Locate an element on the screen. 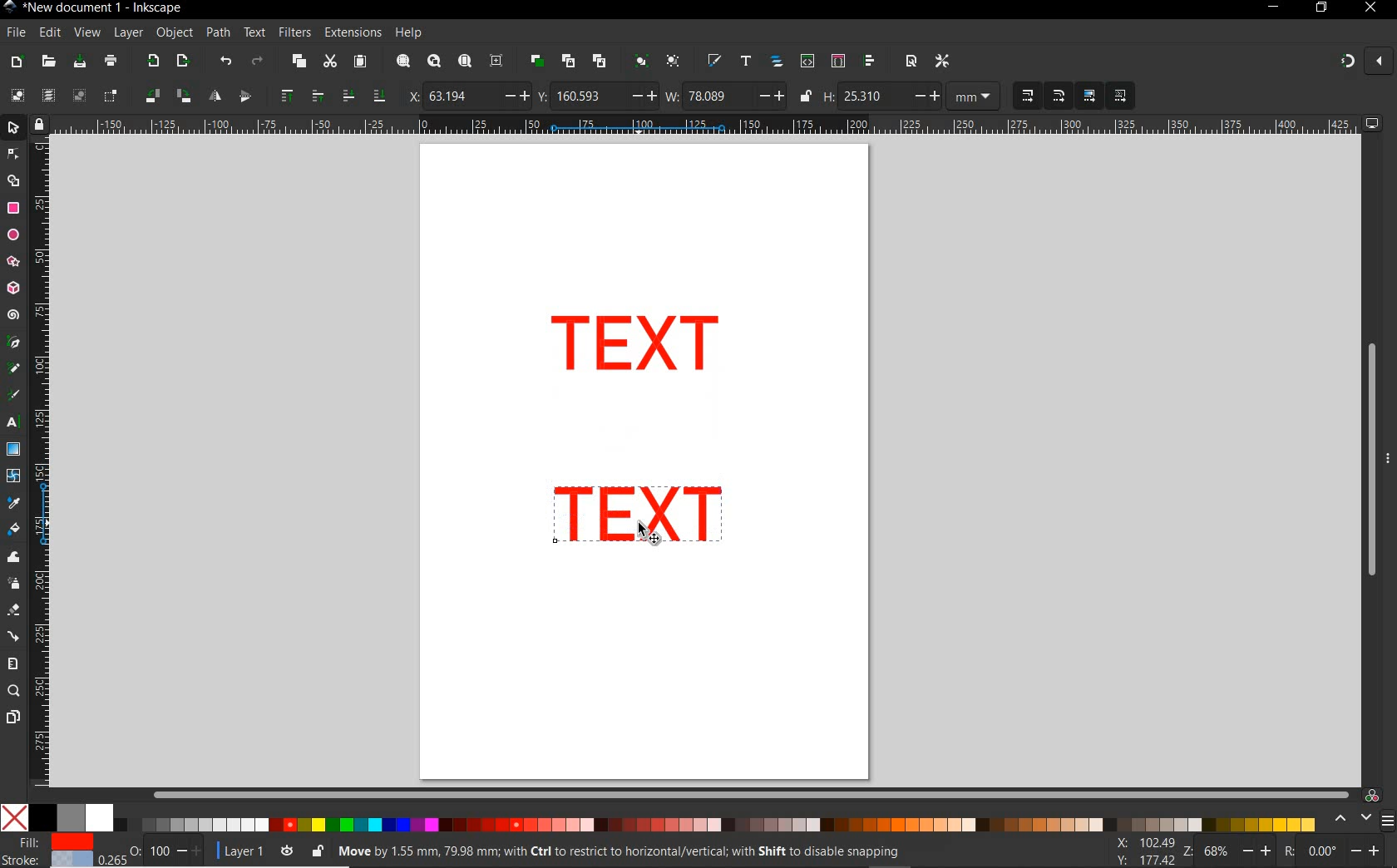 This screenshot has height=868, width=1397. select all in all layers is located at coordinates (48, 96).